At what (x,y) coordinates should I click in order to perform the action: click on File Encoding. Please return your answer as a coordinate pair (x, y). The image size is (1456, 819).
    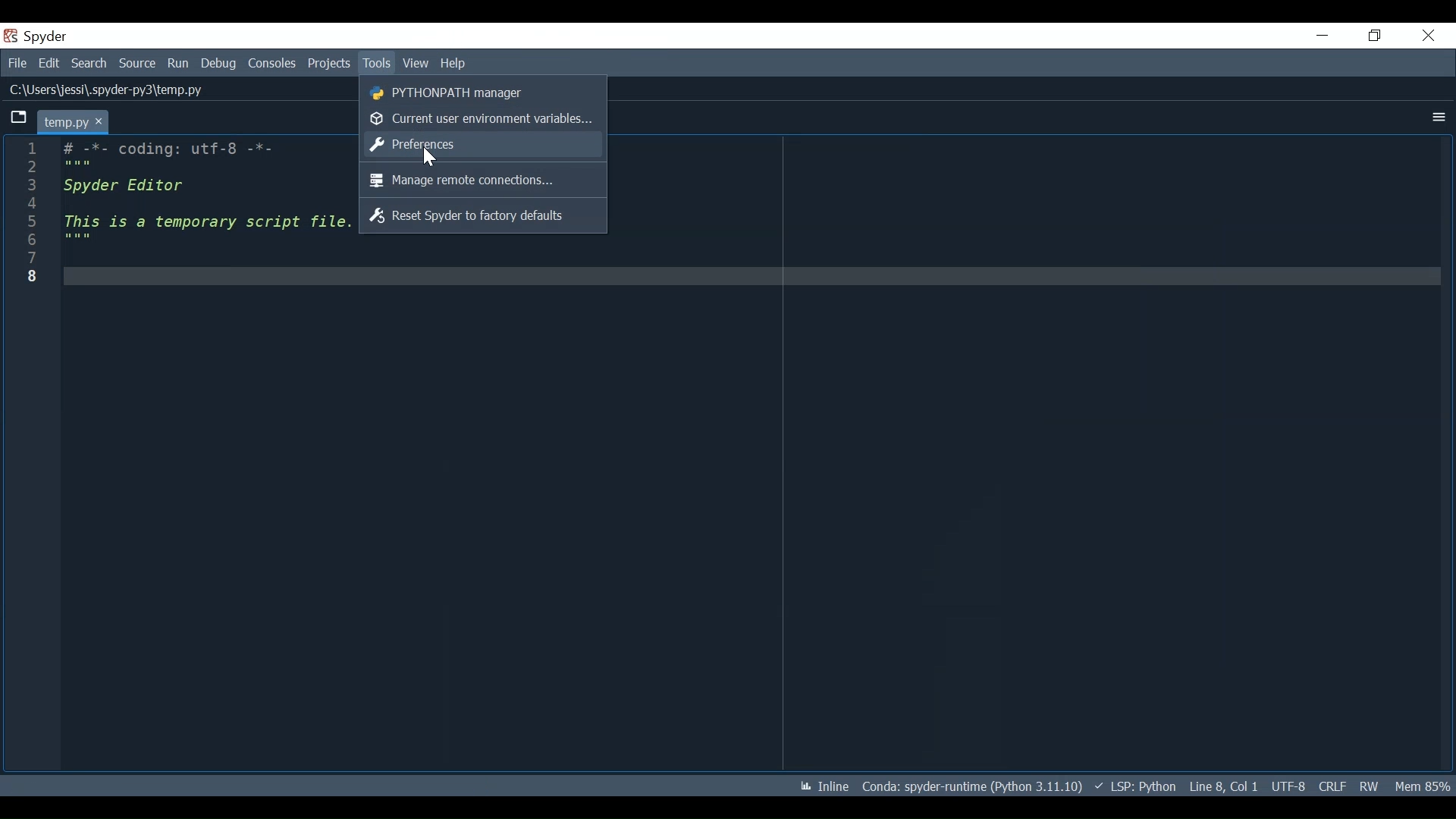
    Looking at the image, I should click on (1289, 786).